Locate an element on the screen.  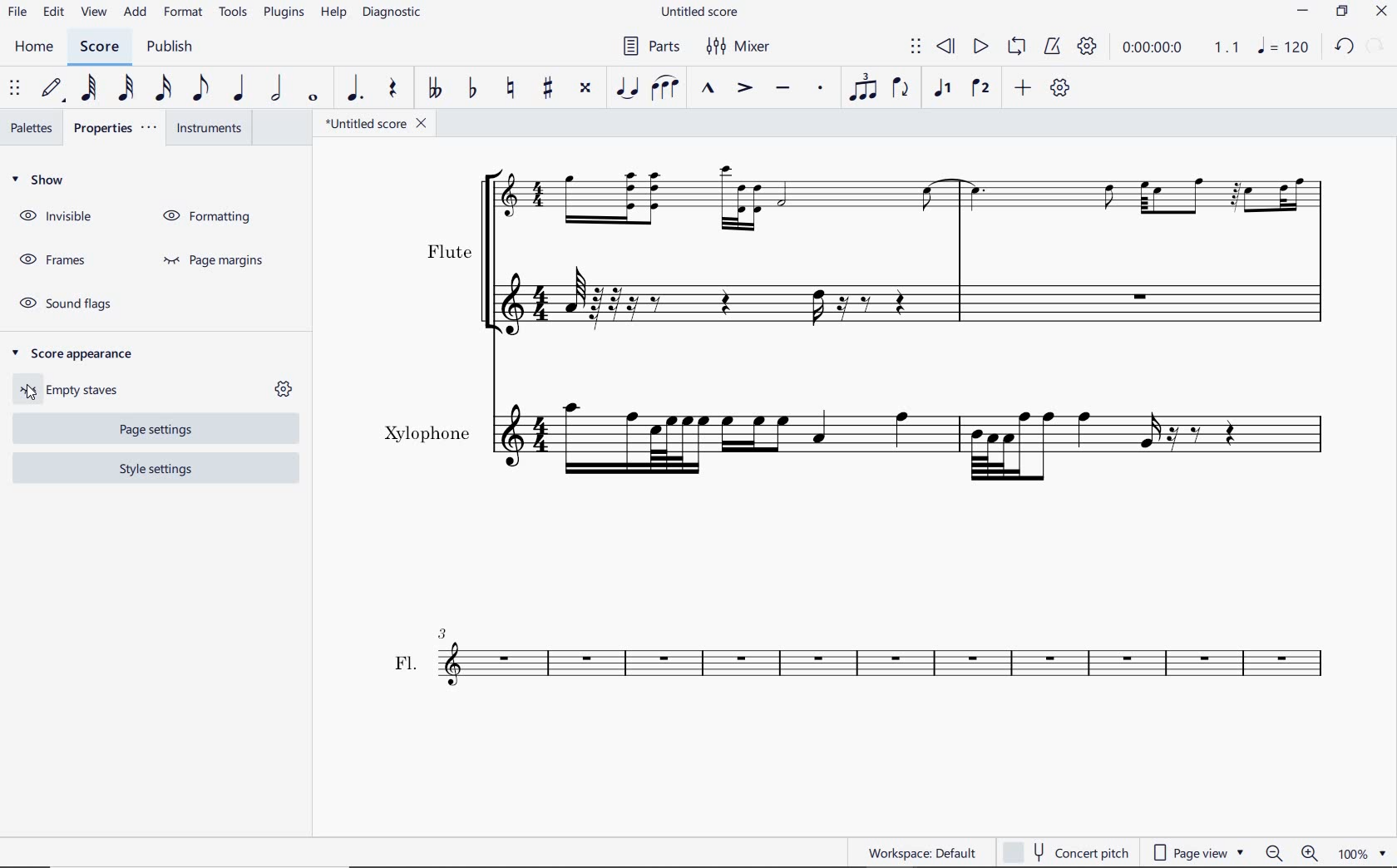
STACCATO is located at coordinates (820, 88).